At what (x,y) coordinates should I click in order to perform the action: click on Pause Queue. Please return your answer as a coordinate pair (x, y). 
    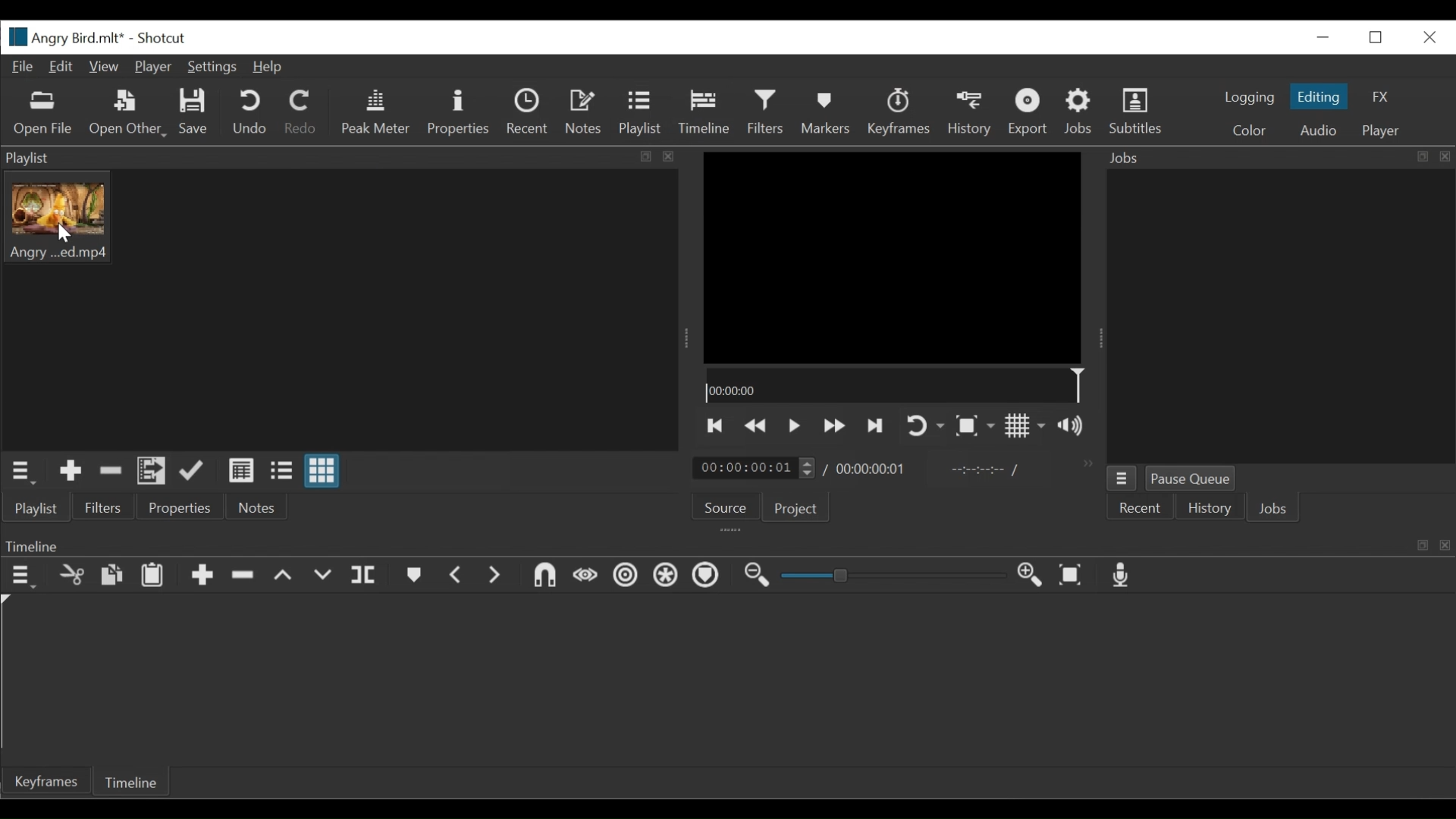
    Looking at the image, I should click on (1193, 477).